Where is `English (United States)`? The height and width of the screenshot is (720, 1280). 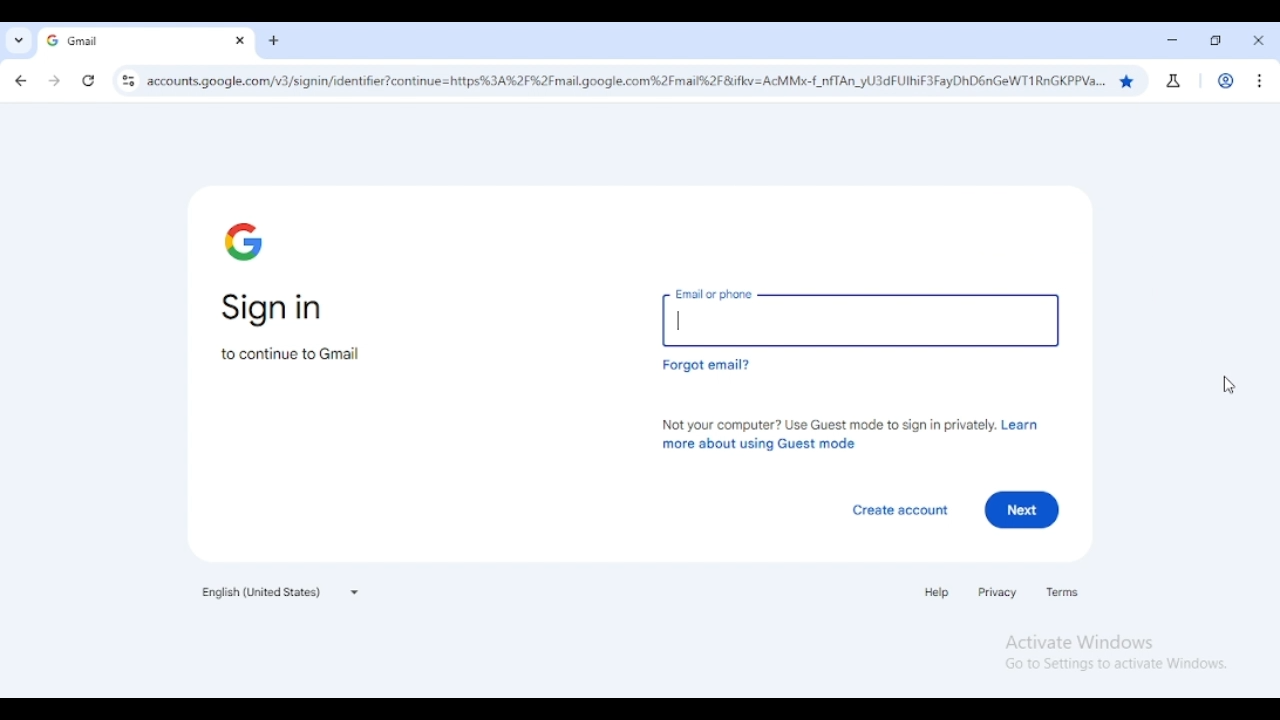
English (United States) is located at coordinates (279, 591).